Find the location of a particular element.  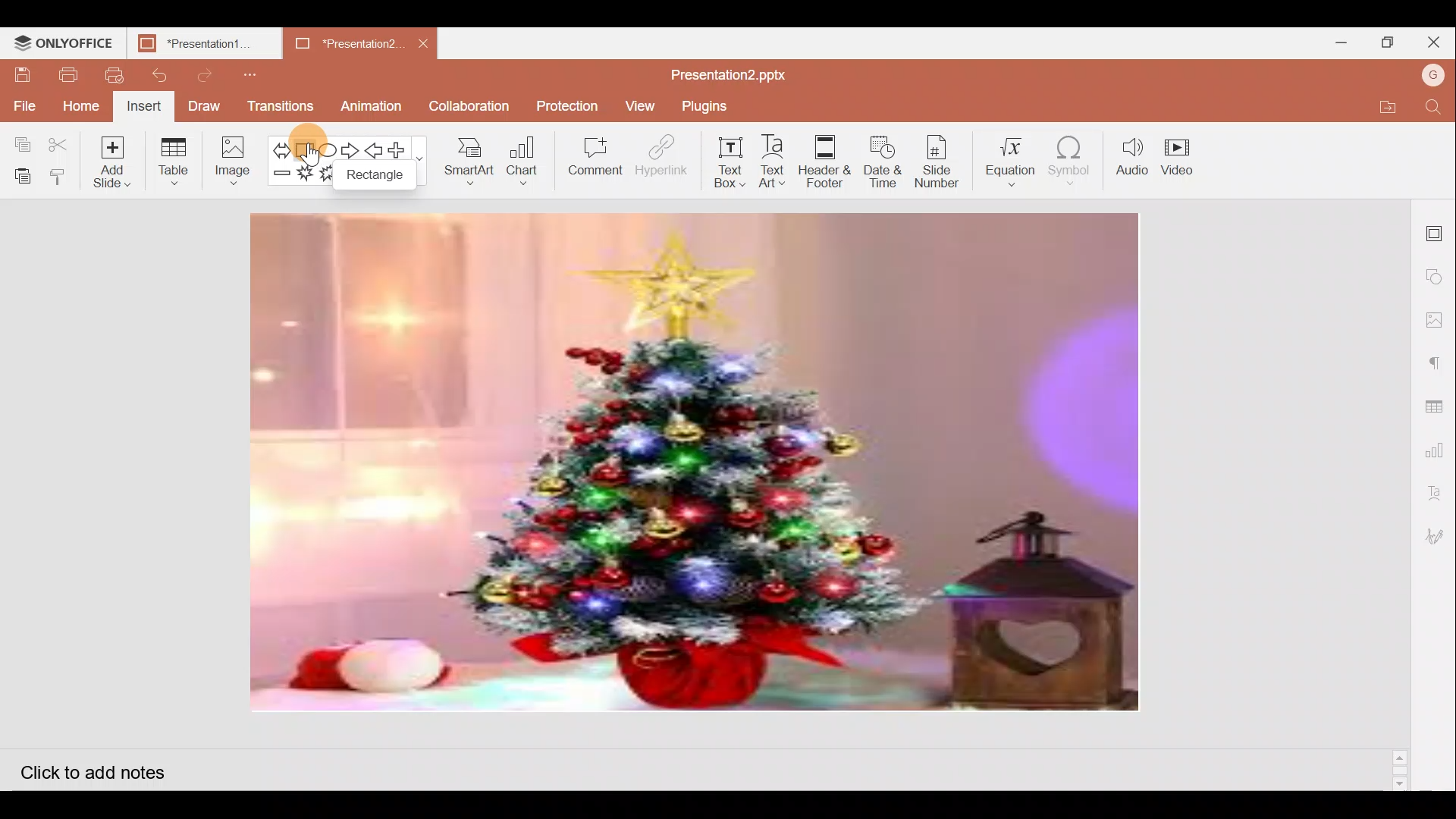

Presentation1. is located at coordinates (199, 44).